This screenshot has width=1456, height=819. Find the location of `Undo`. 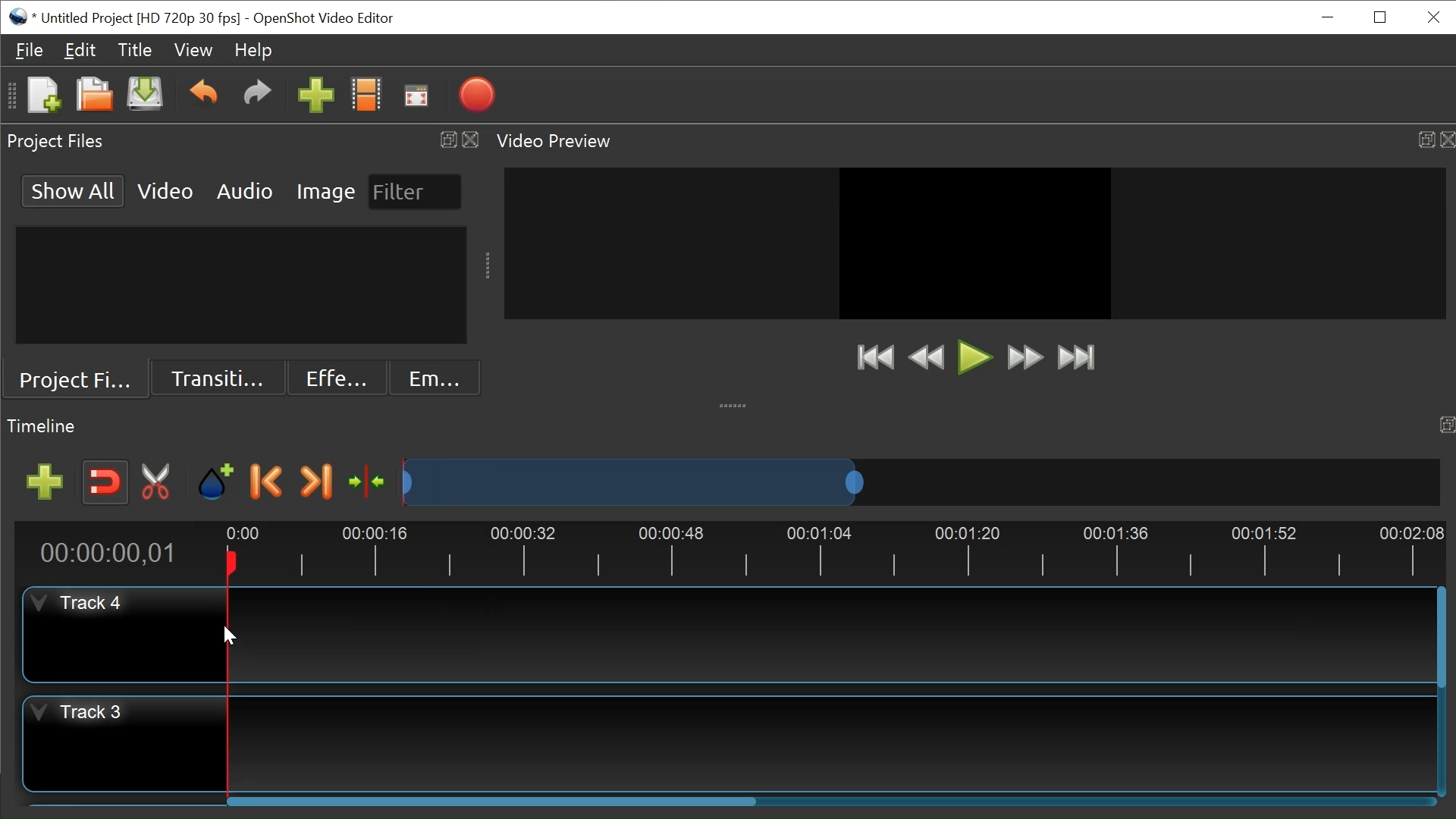

Undo is located at coordinates (202, 96).